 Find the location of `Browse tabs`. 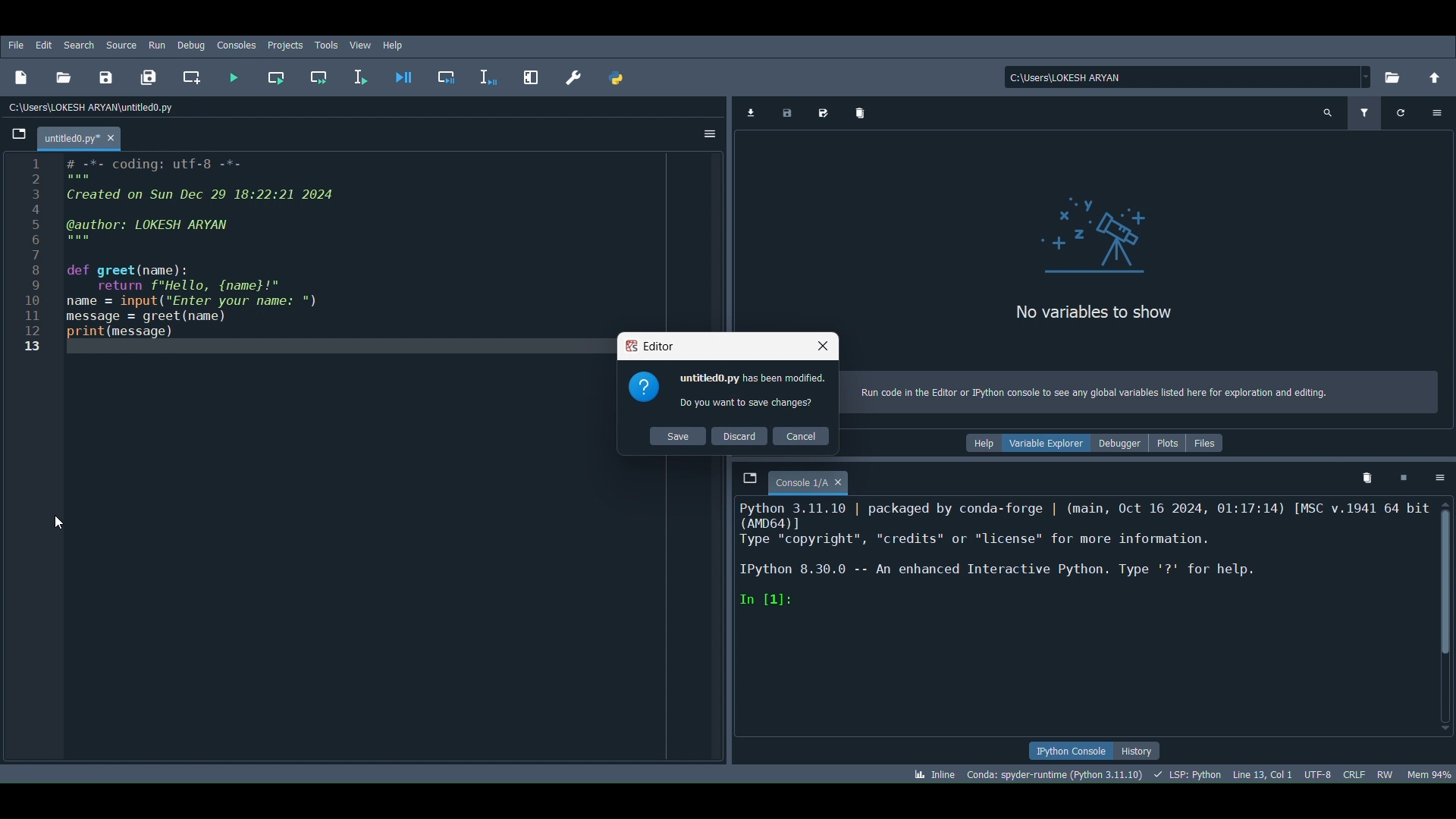

Browse tabs is located at coordinates (747, 479).